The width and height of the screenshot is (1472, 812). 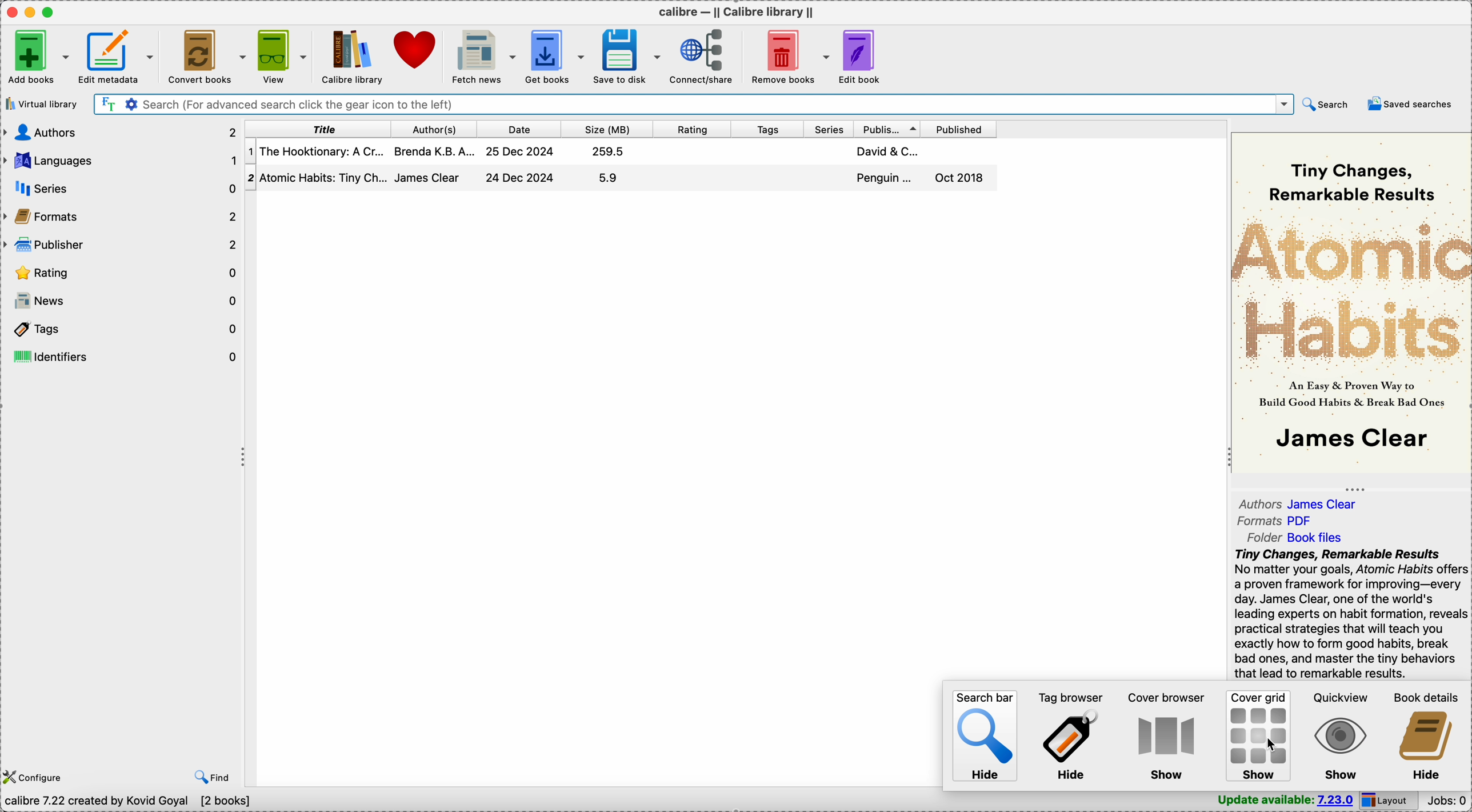 I want to click on cursor, so click(x=1272, y=743).